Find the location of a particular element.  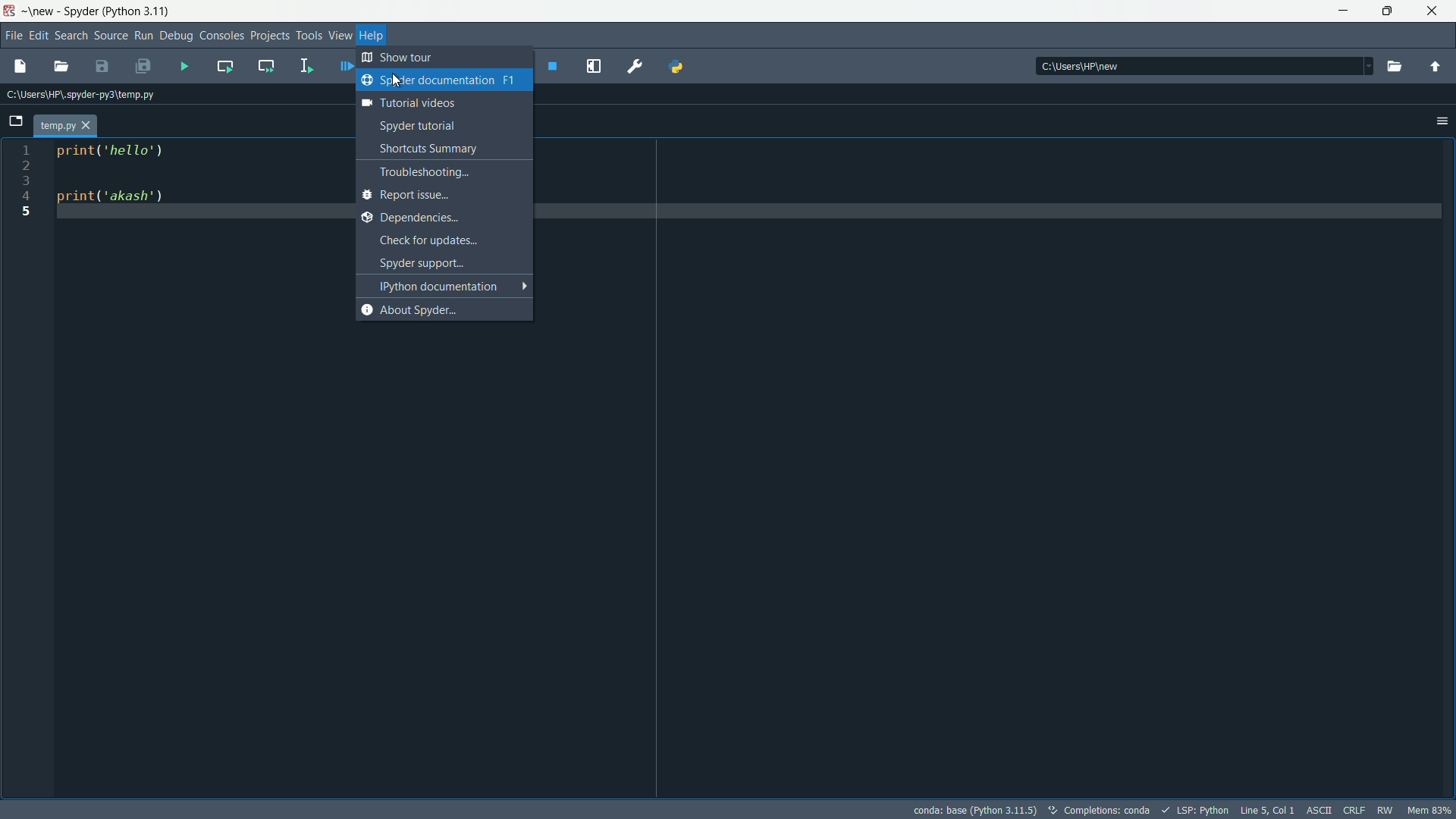

preferences is located at coordinates (635, 65).